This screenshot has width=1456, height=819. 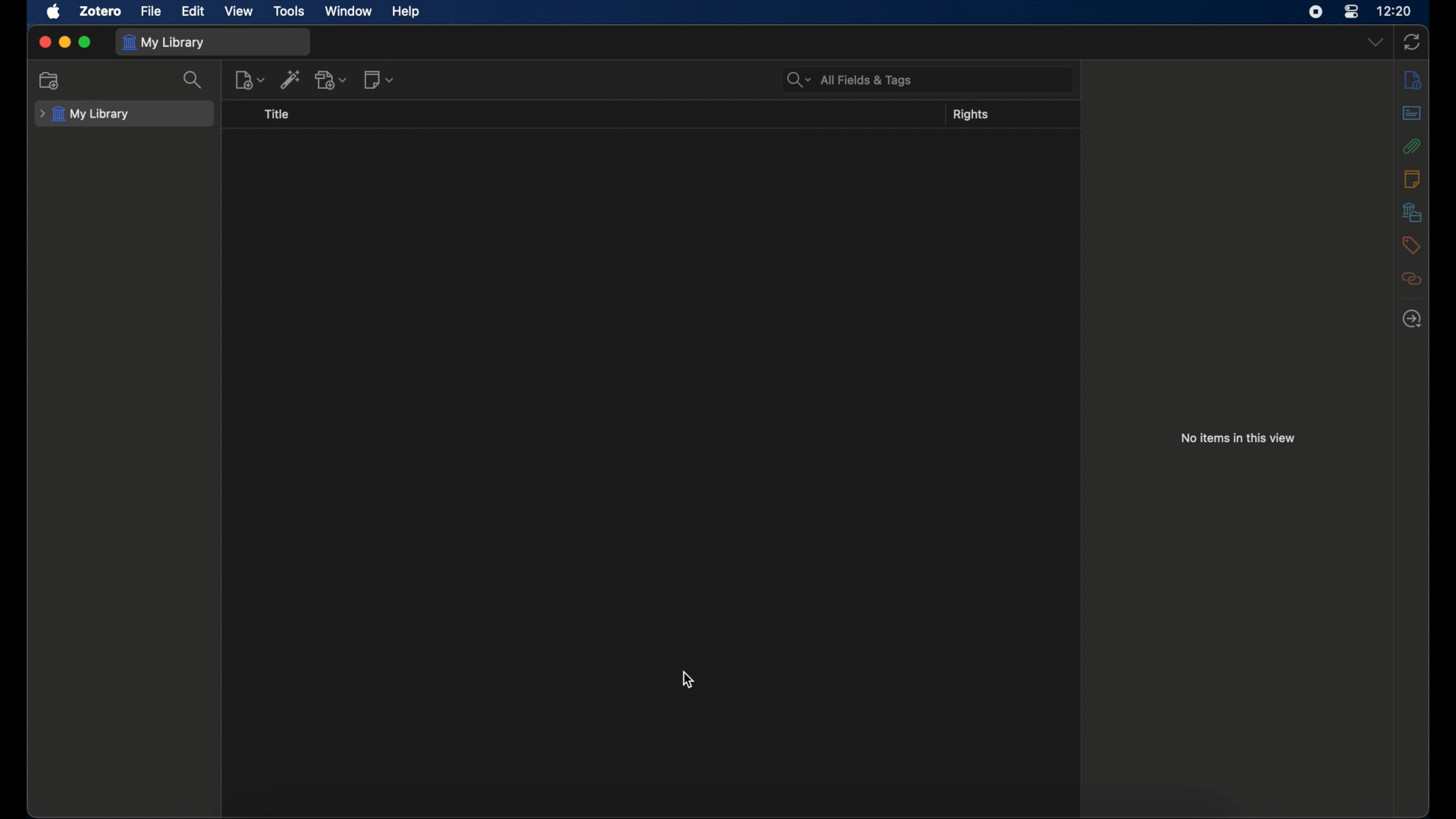 What do you see at coordinates (971, 115) in the screenshot?
I see `rights` at bounding box center [971, 115].